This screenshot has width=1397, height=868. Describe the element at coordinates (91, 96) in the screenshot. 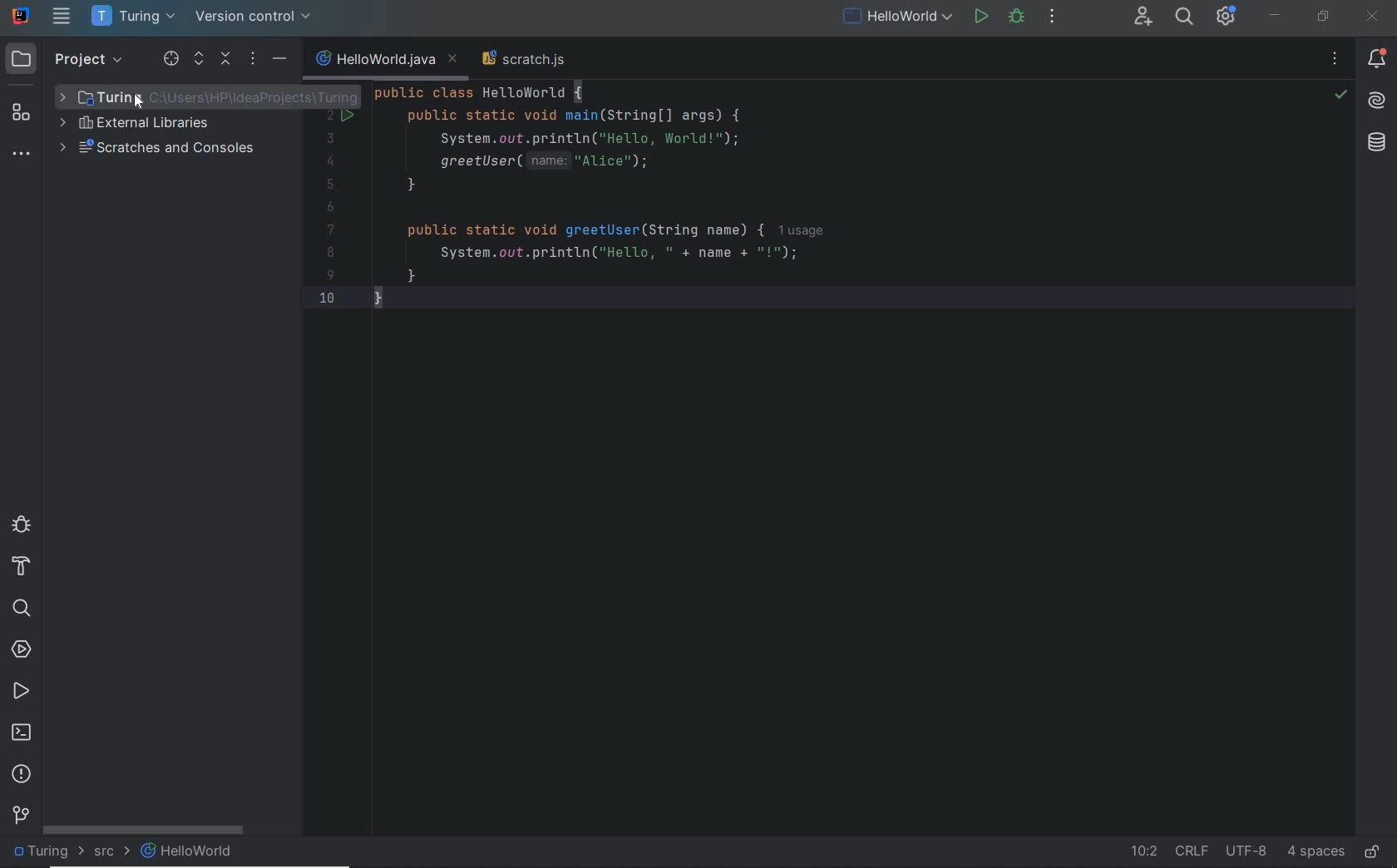

I see `project folder` at that location.